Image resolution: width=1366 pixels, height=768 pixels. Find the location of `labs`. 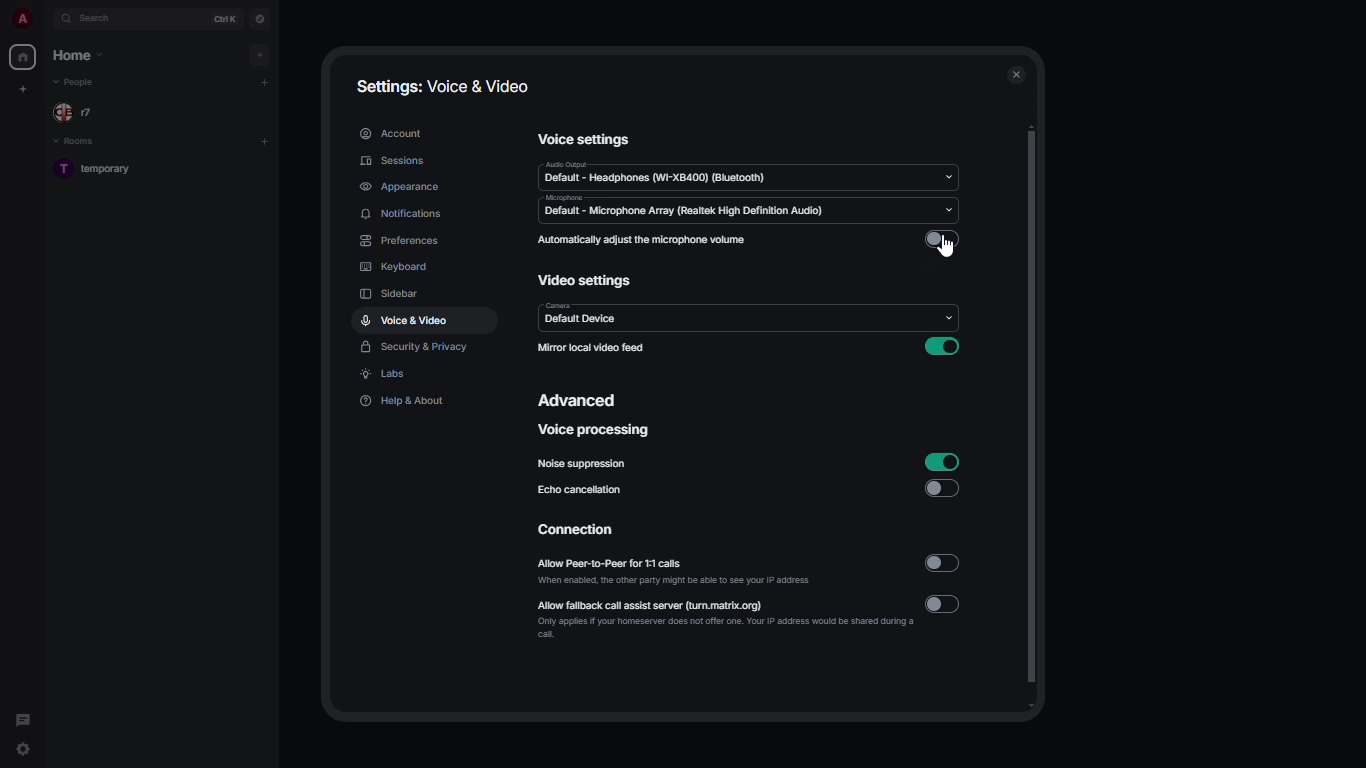

labs is located at coordinates (383, 374).